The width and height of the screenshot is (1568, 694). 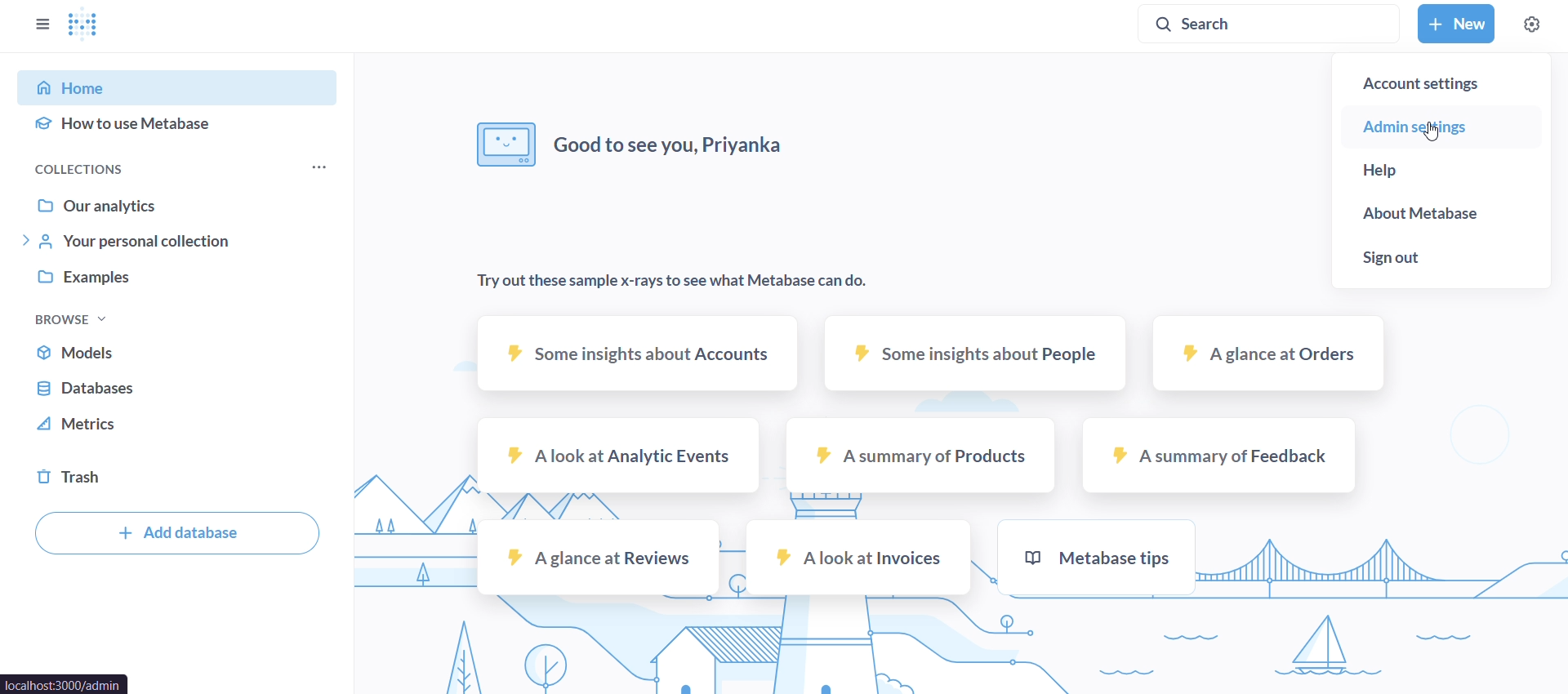 I want to click on admin setup, so click(x=1438, y=131).